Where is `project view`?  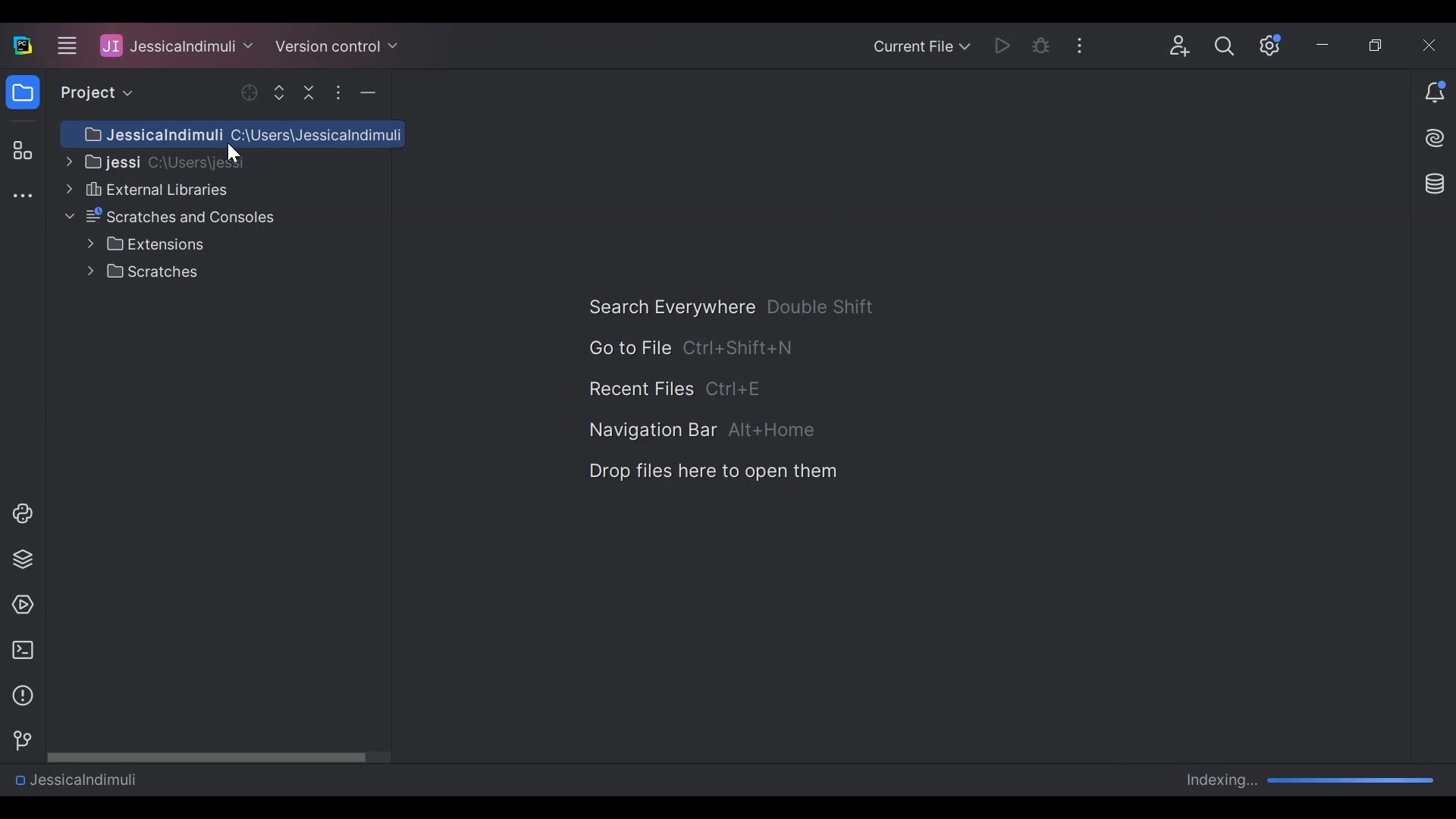 project view is located at coordinates (93, 93).